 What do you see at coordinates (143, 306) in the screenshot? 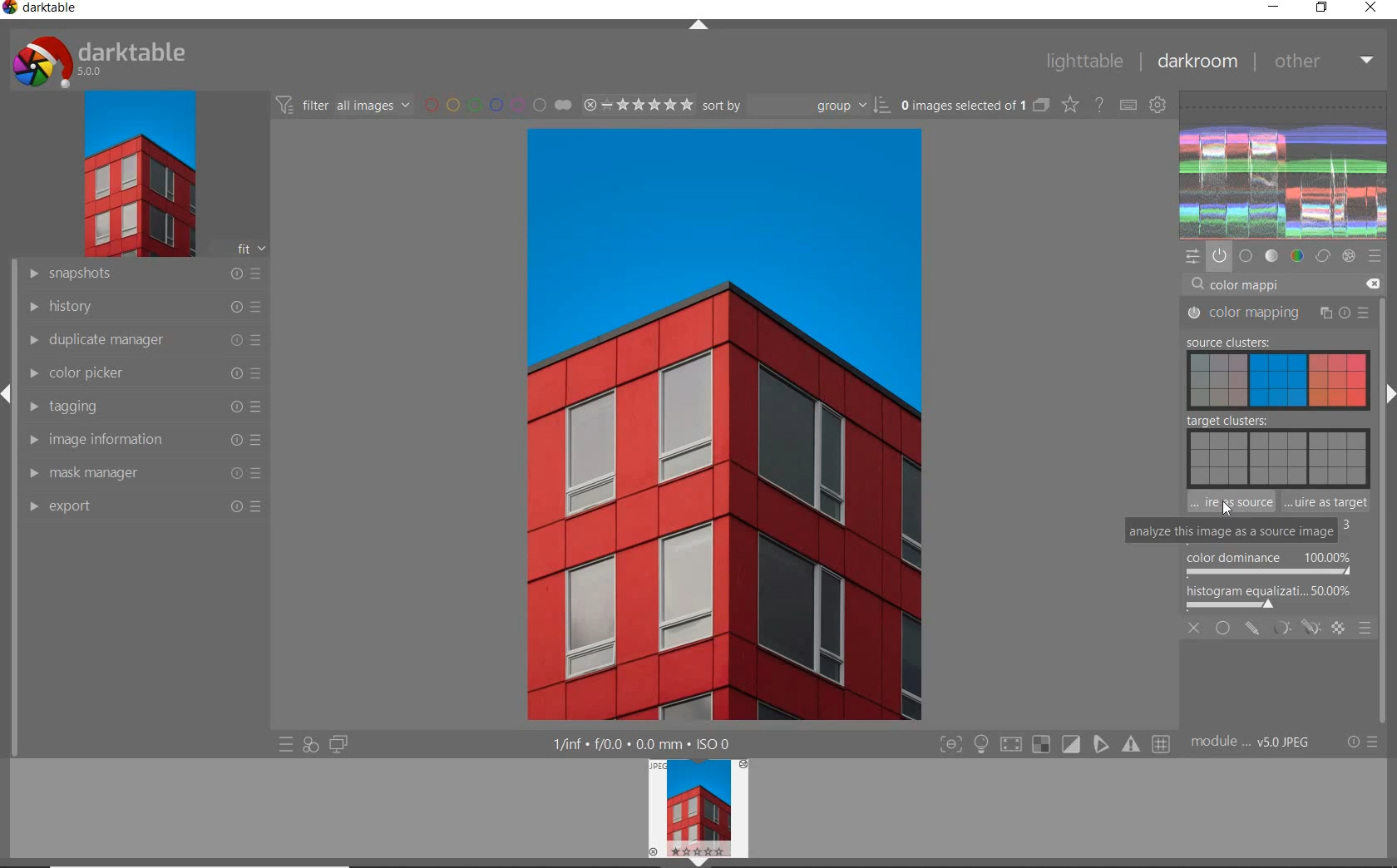
I see `history` at bounding box center [143, 306].